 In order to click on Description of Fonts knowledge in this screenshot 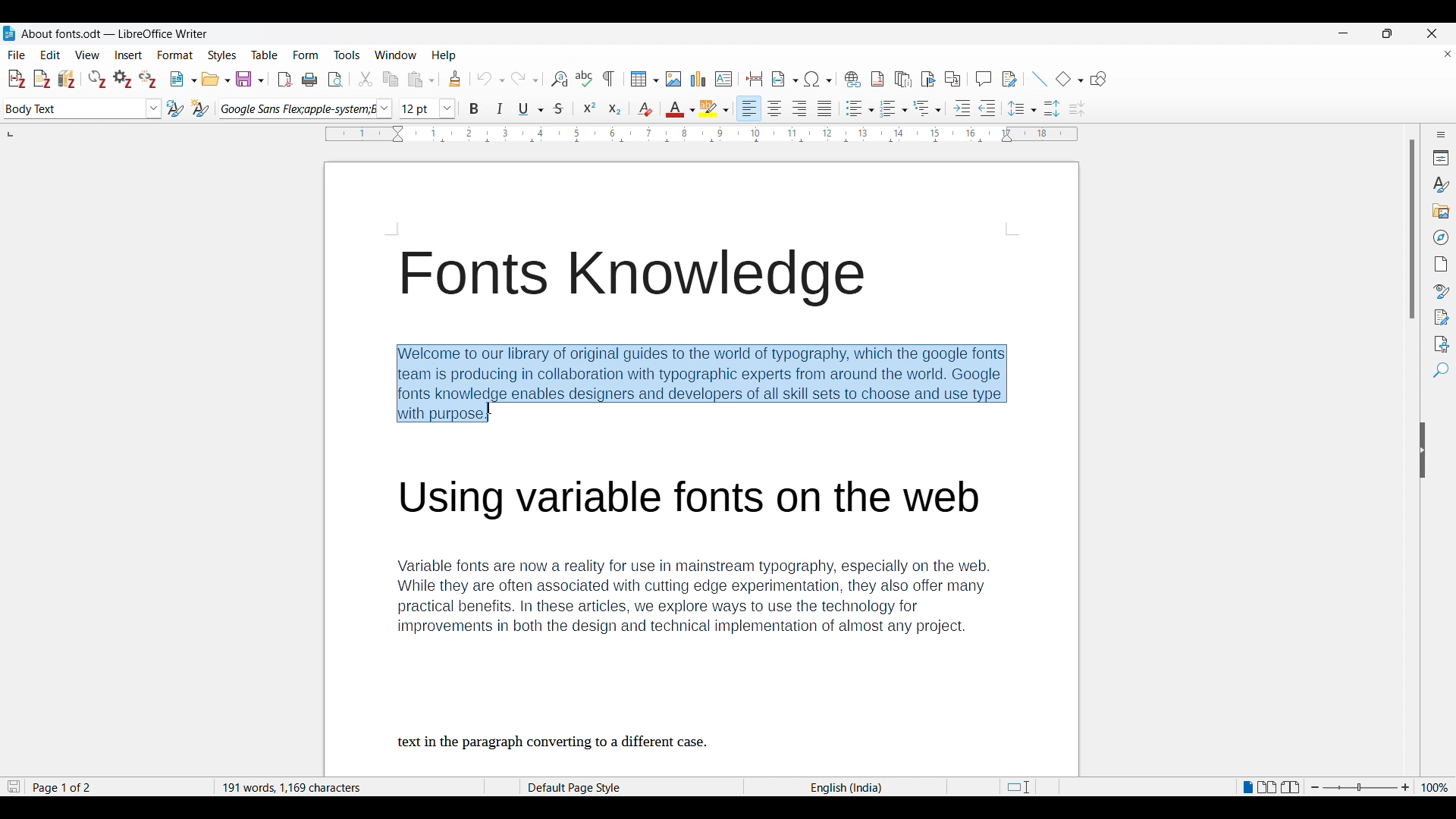, I will do `click(706, 383)`.